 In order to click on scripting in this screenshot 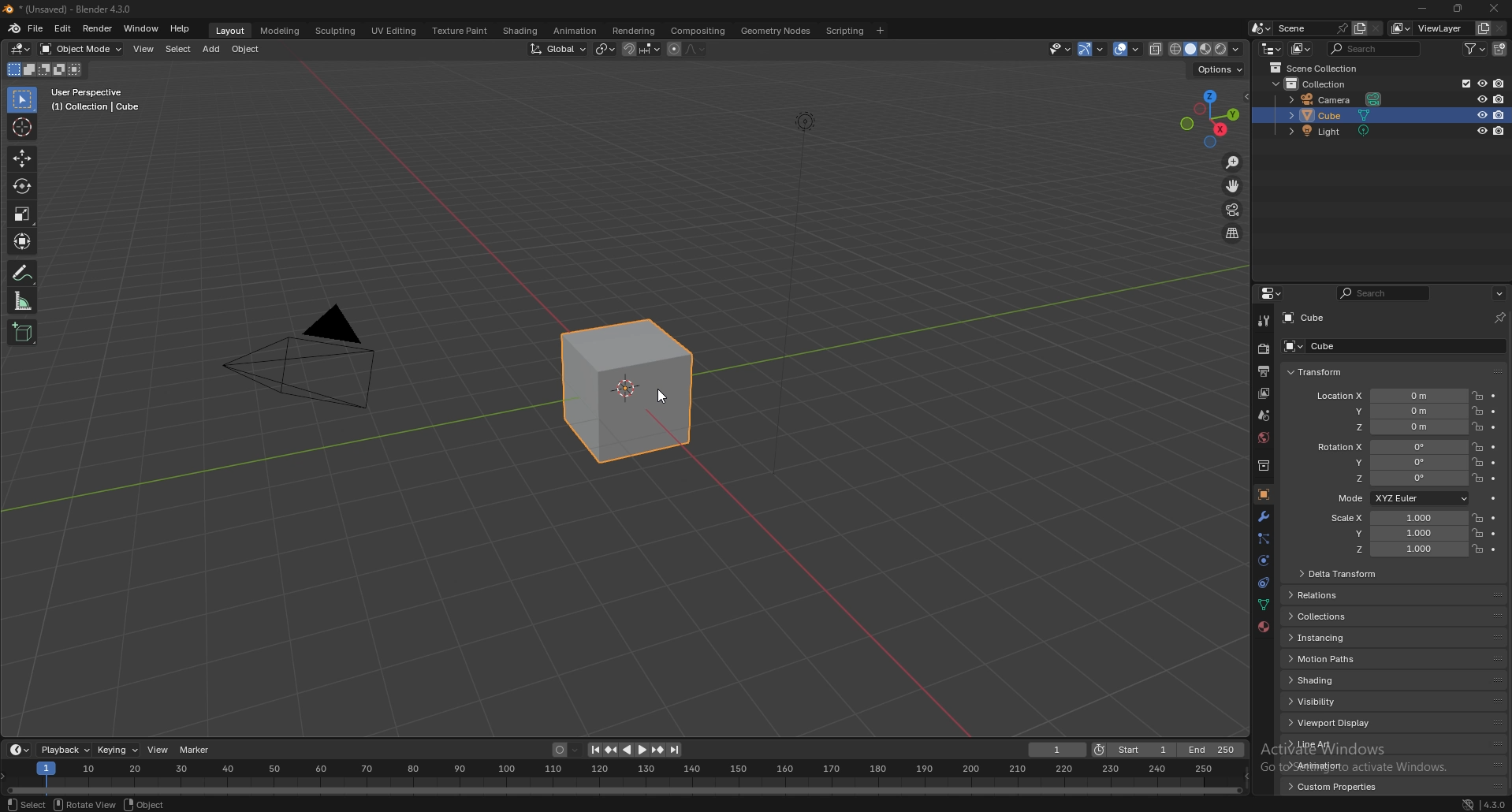, I will do `click(847, 31)`.